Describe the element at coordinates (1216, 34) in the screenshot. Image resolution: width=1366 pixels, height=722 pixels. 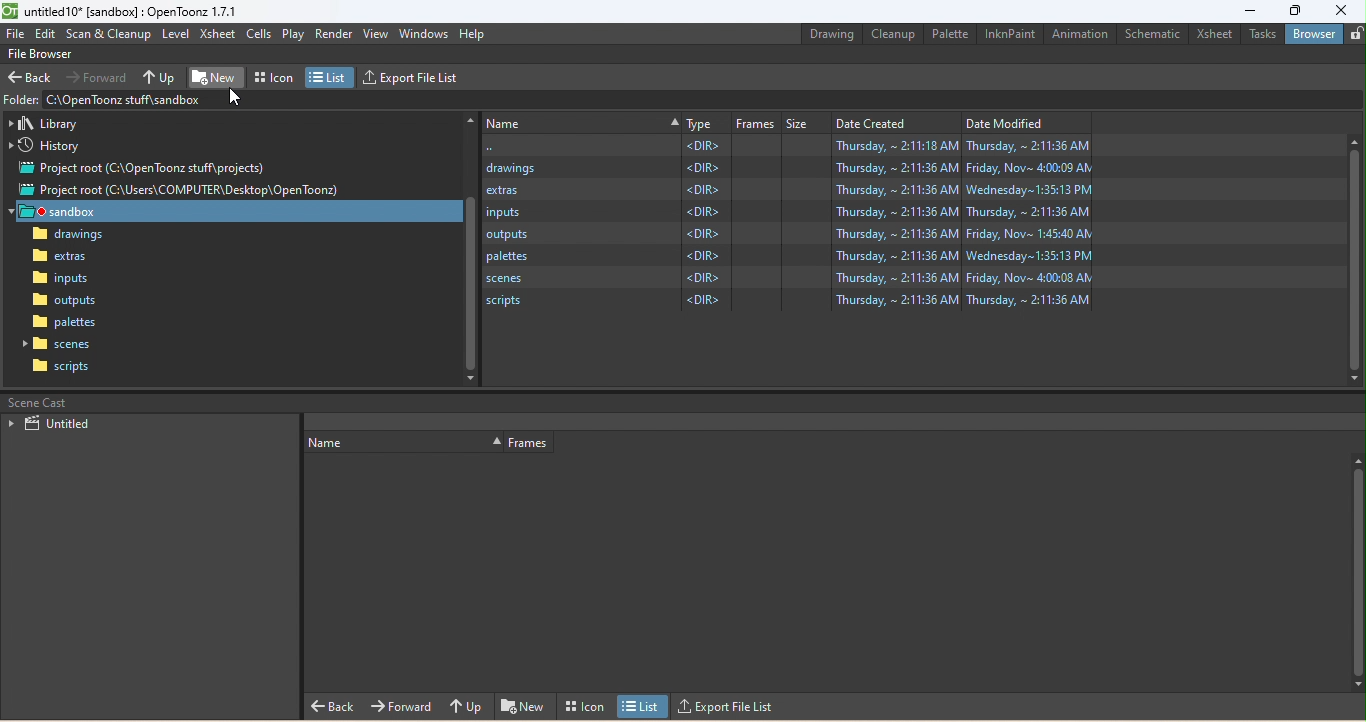
I see `Xsheet` at that location.